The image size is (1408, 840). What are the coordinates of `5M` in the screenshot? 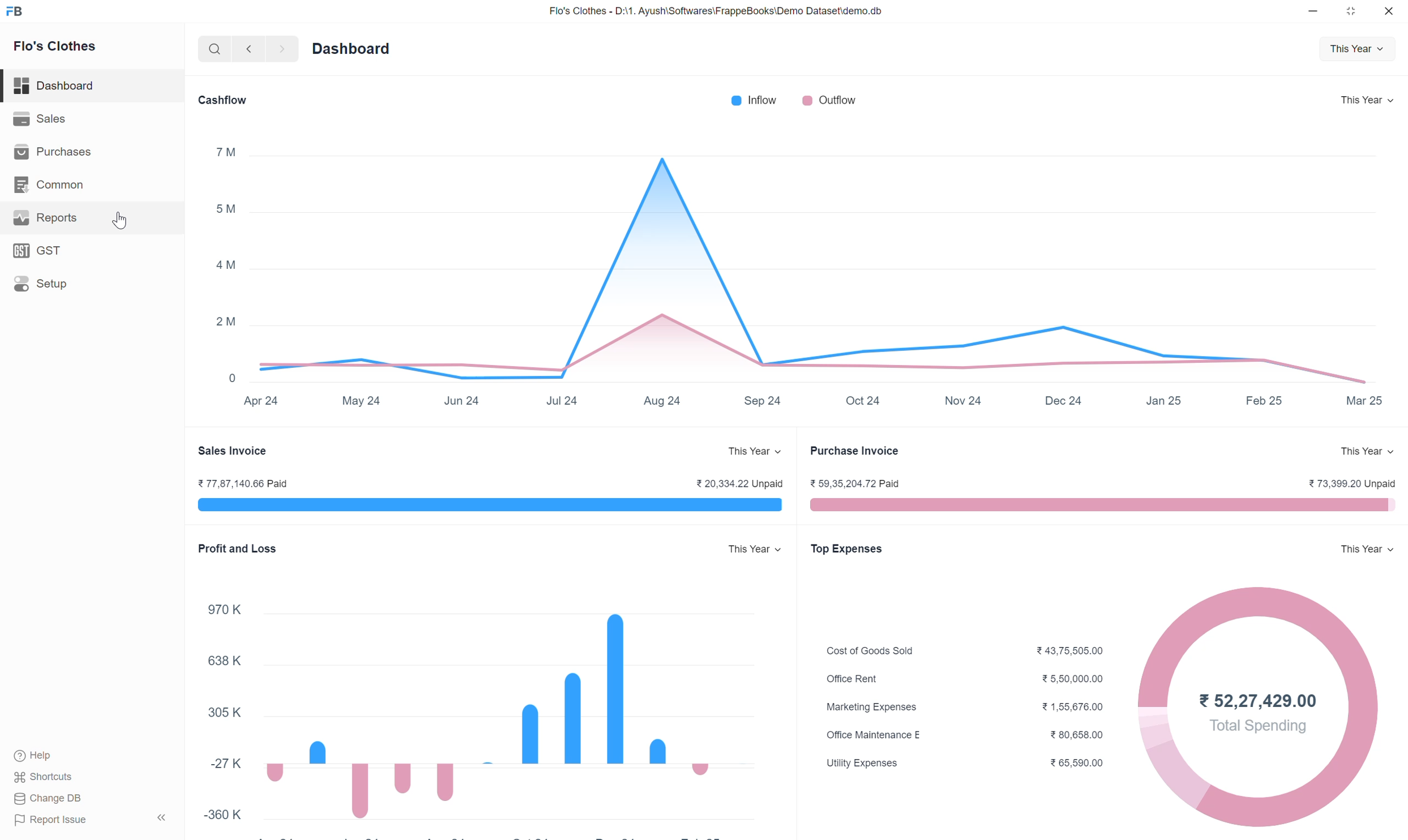 It's located at (226, 211).